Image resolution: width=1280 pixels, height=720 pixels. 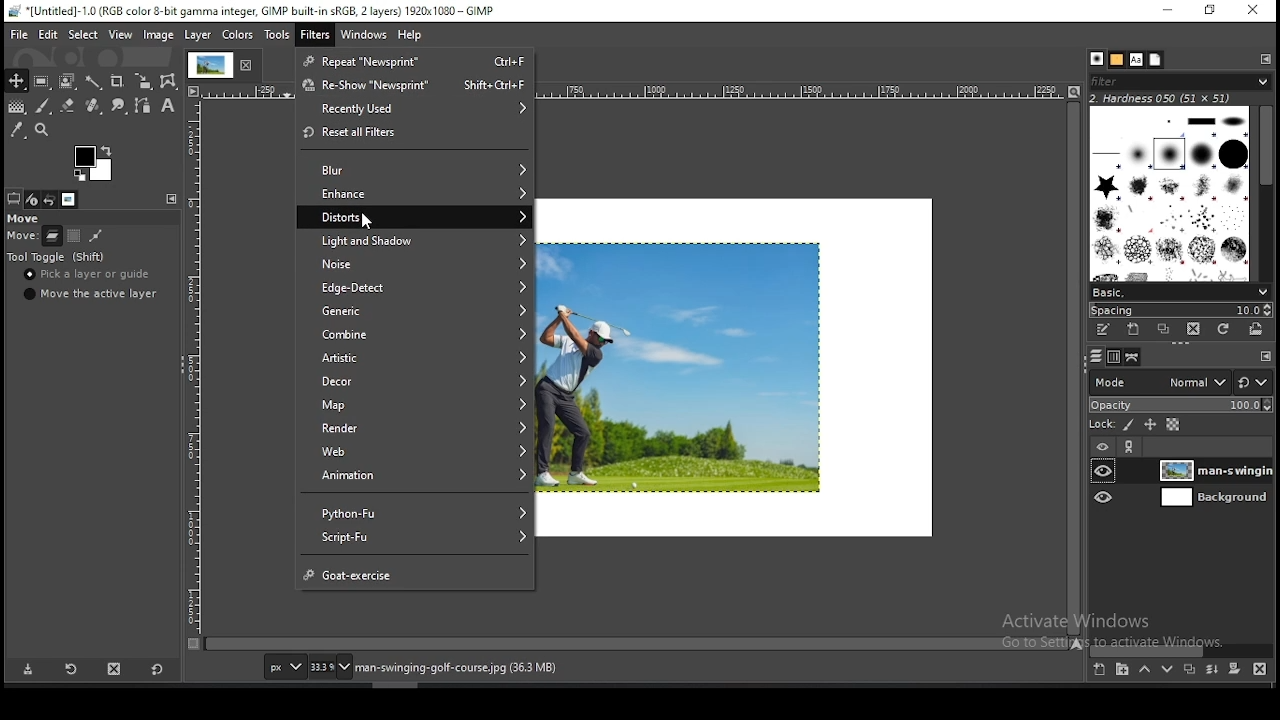 I want to click on delete brush, so click(x=1193, y=329).